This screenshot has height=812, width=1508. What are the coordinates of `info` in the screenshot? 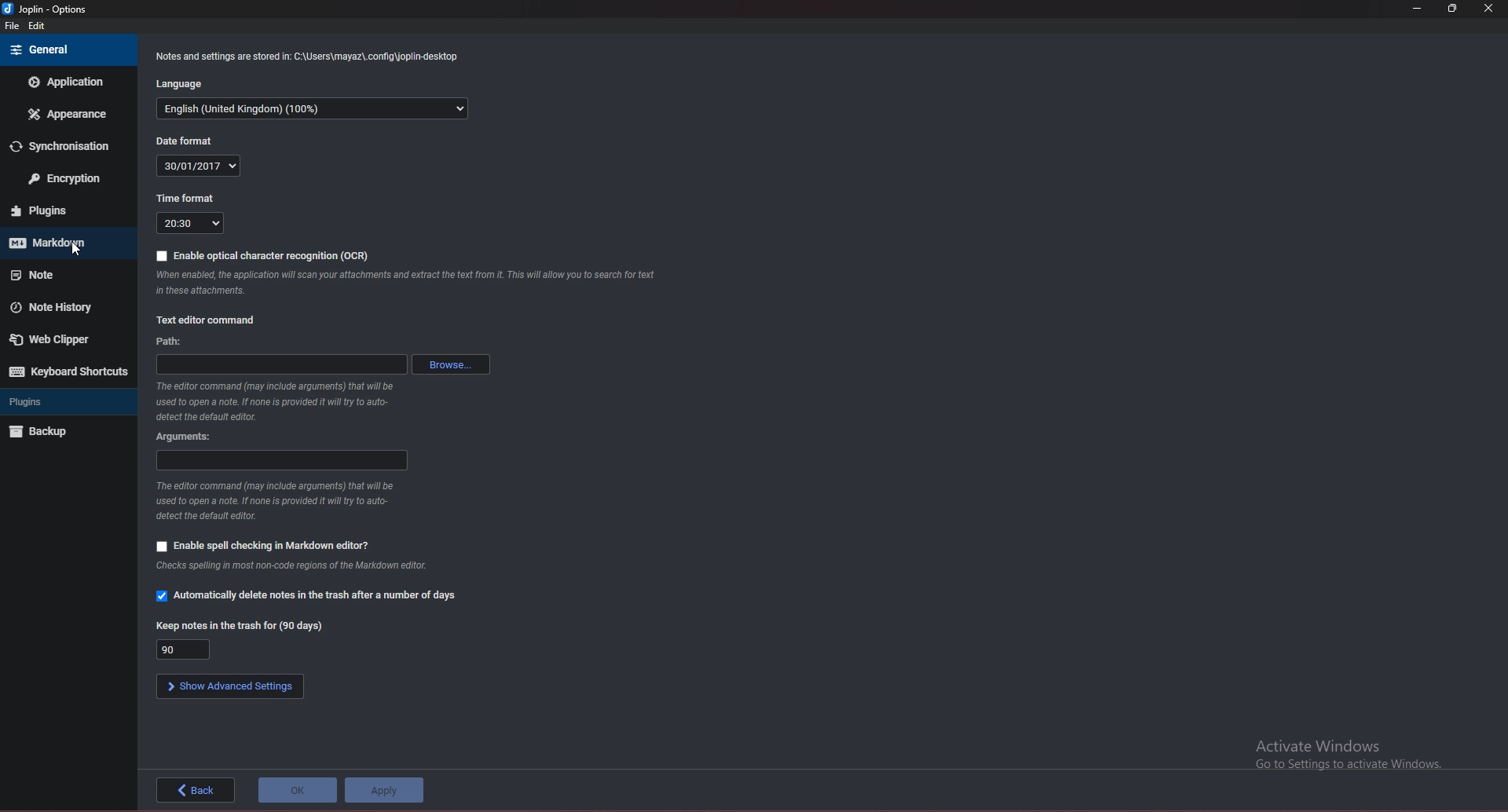 It's located at (291, 565).